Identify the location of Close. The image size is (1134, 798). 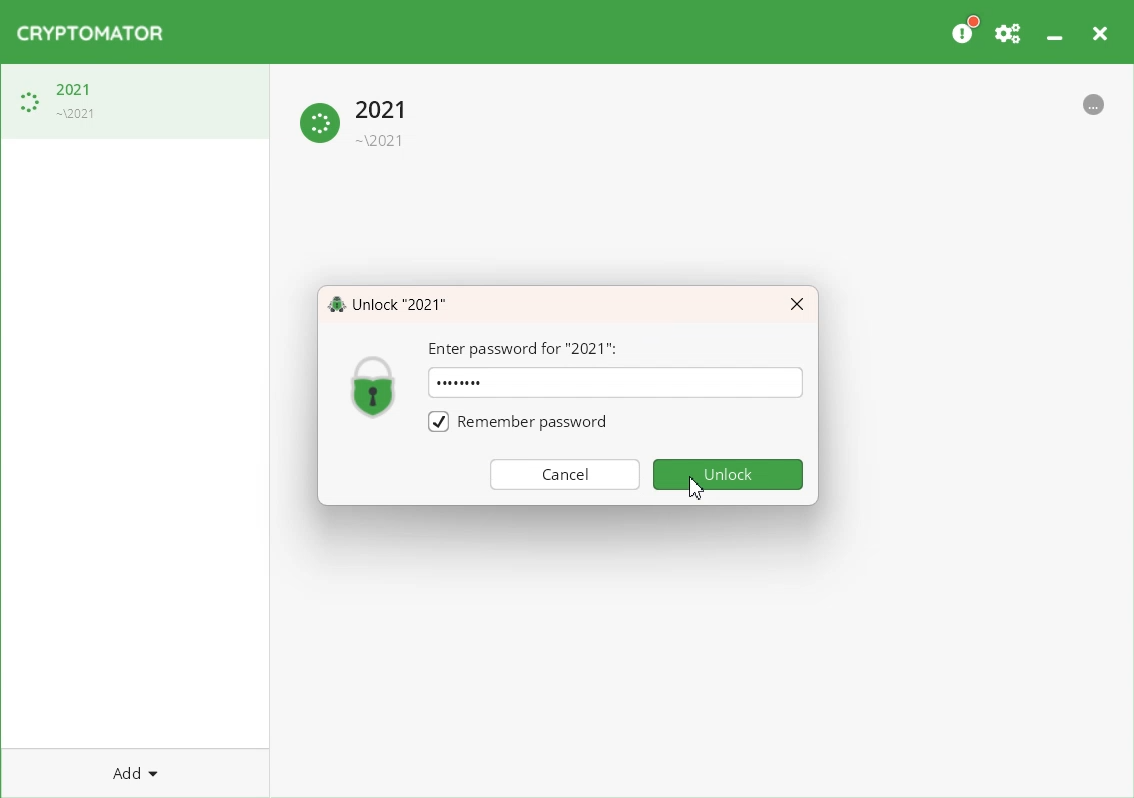
(1099, 30).